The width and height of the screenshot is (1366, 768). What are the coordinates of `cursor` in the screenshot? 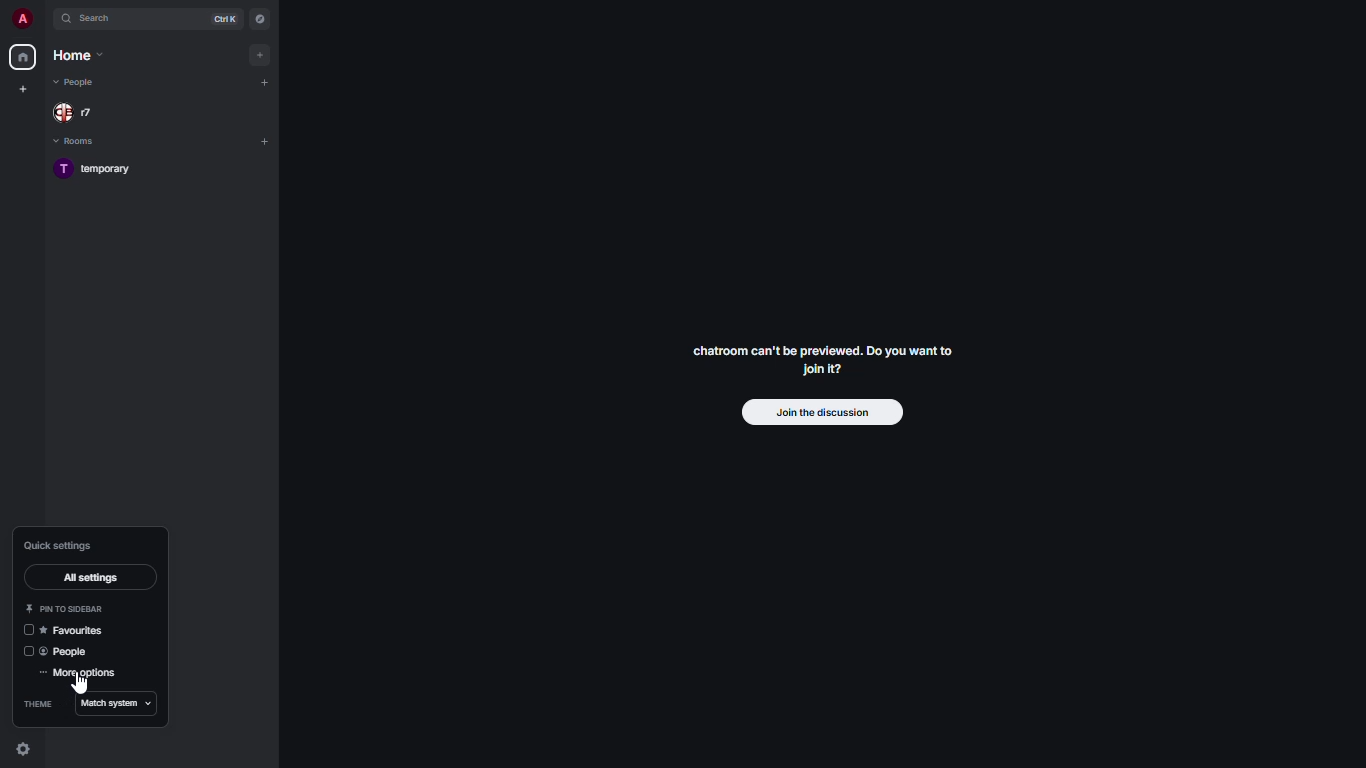 It's located at (80, 682).